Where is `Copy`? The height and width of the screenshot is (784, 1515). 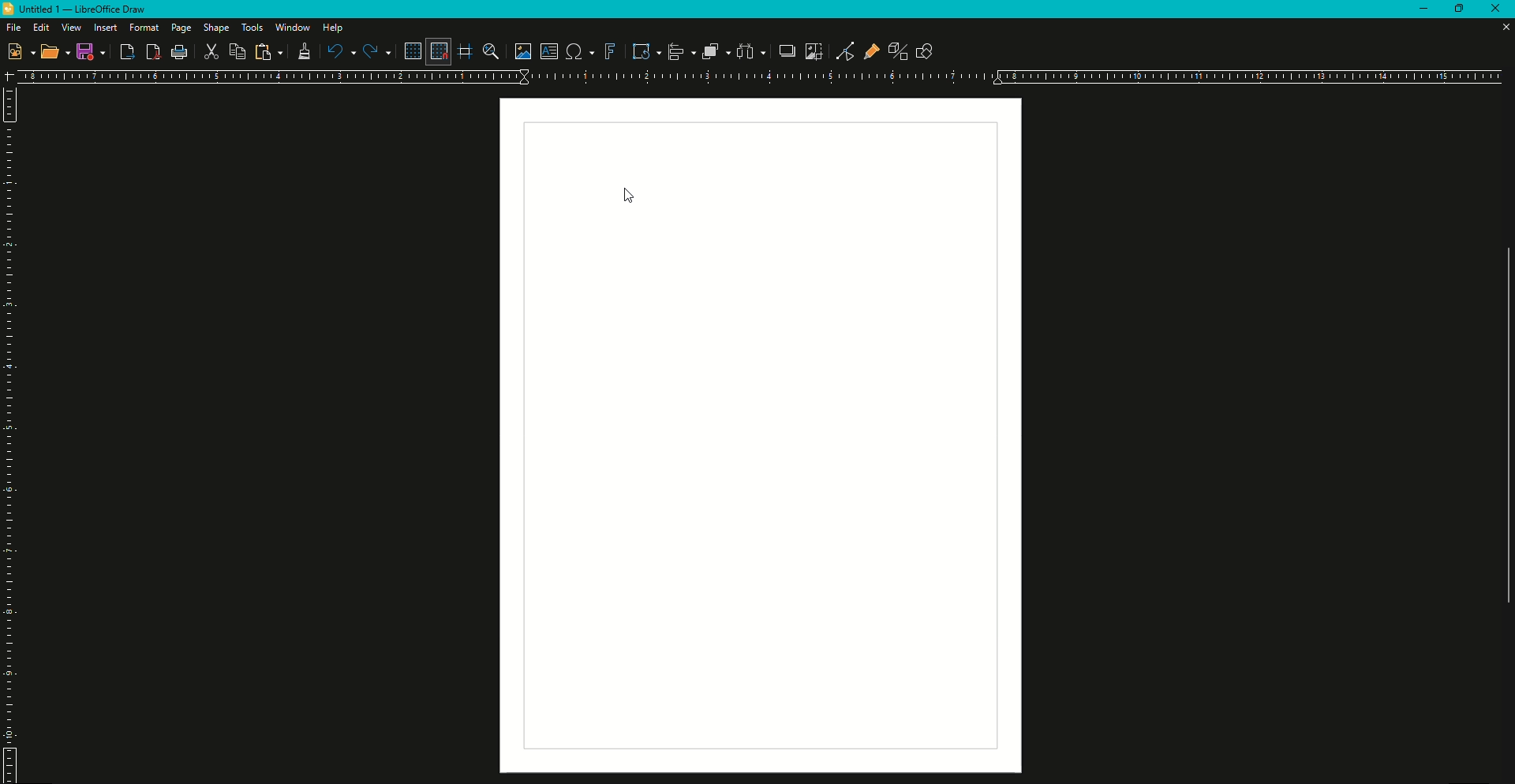
Copy is located at coordinates (237, 52).